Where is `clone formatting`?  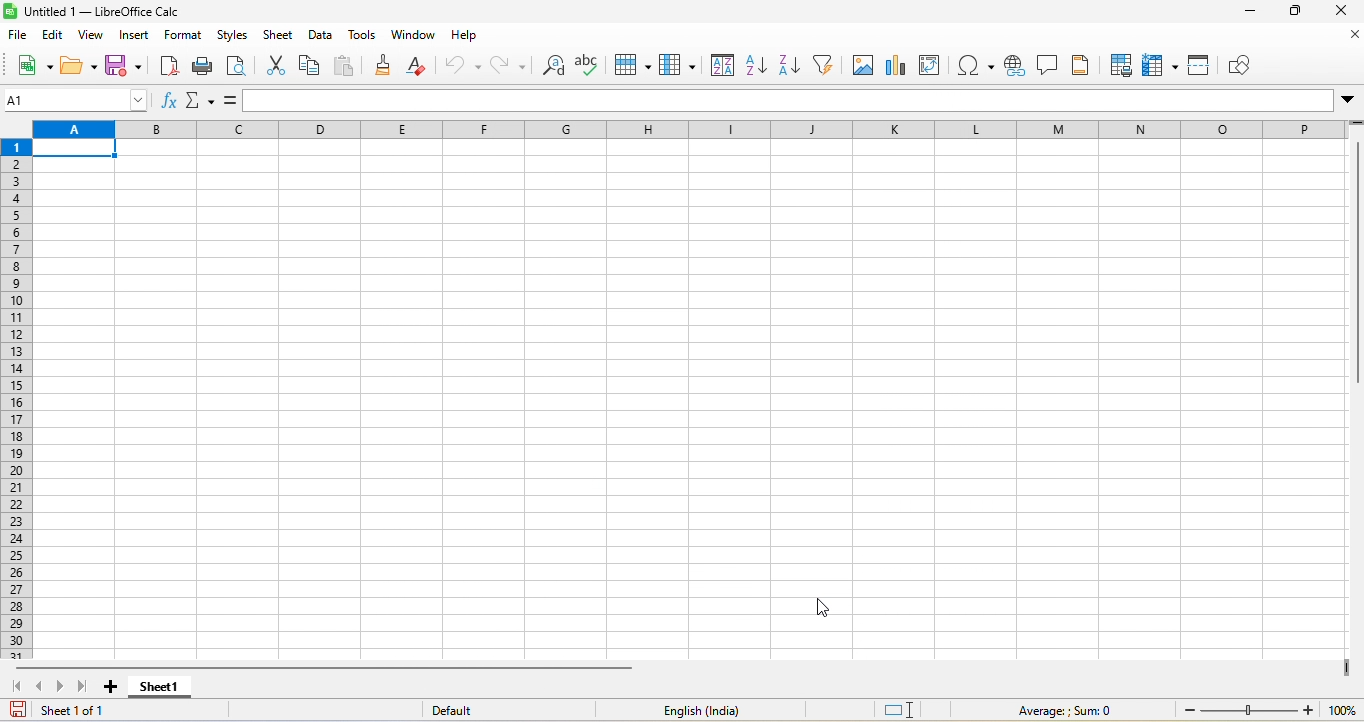 clone formatting is located at coordinates (386, 68).